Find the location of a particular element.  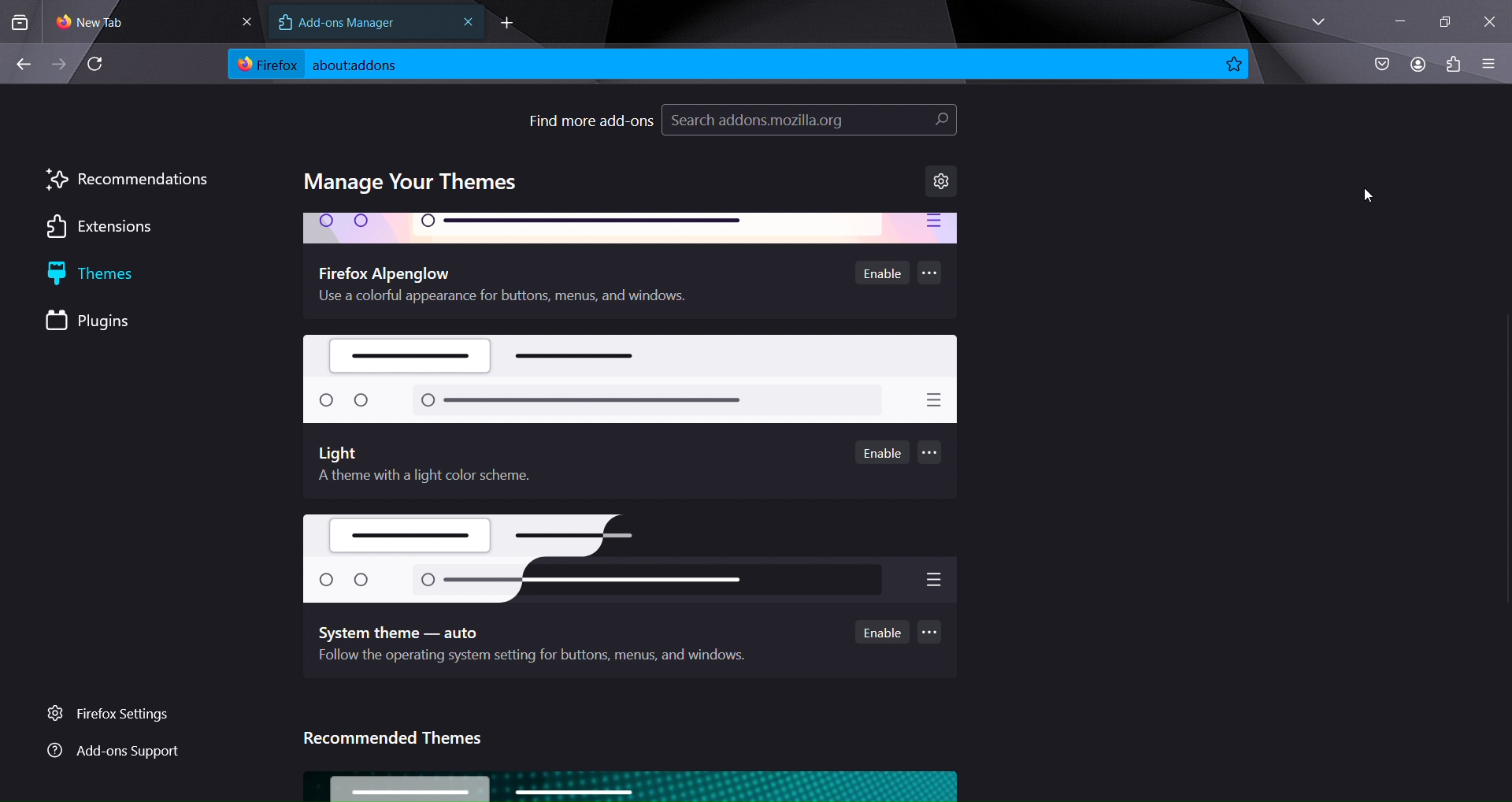

list all tabs is located at coordinates (1314, 20).